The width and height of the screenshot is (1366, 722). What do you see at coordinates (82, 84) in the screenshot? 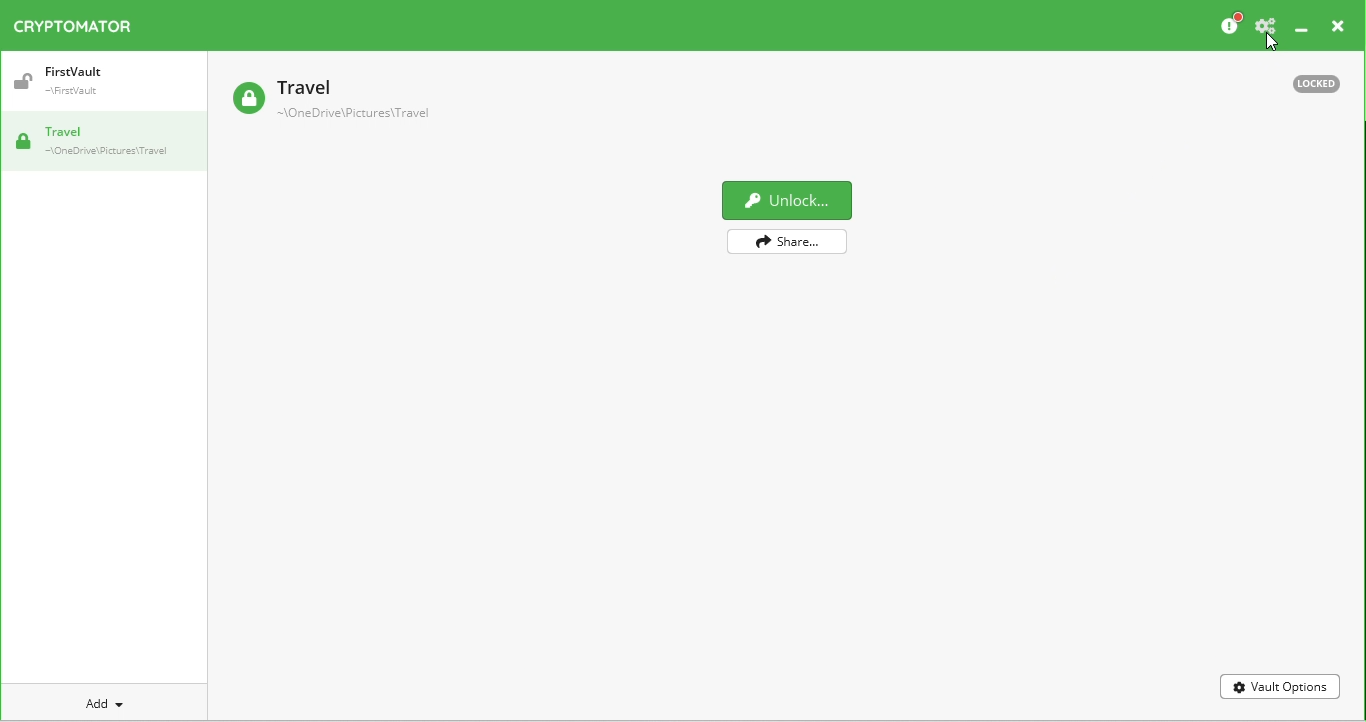
I see `firstVault` at bounding box center [82, 84].